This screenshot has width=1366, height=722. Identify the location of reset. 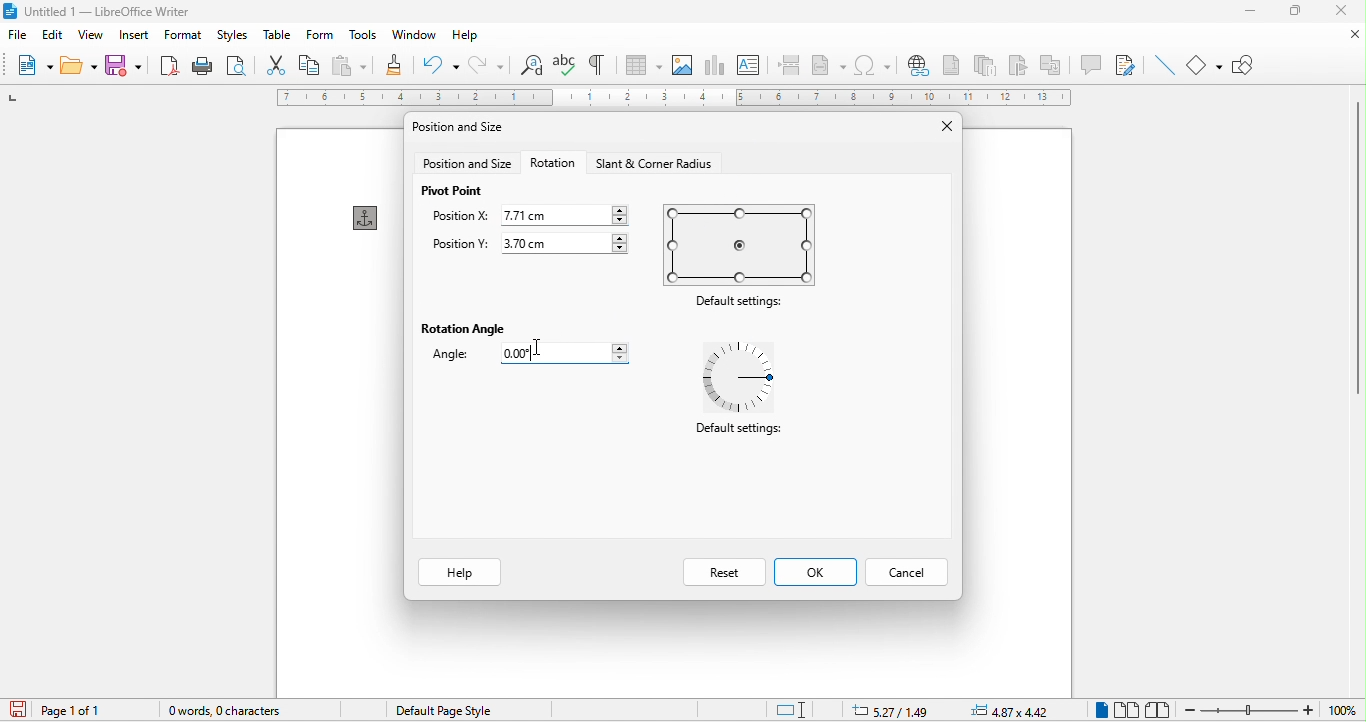
(724, 572).